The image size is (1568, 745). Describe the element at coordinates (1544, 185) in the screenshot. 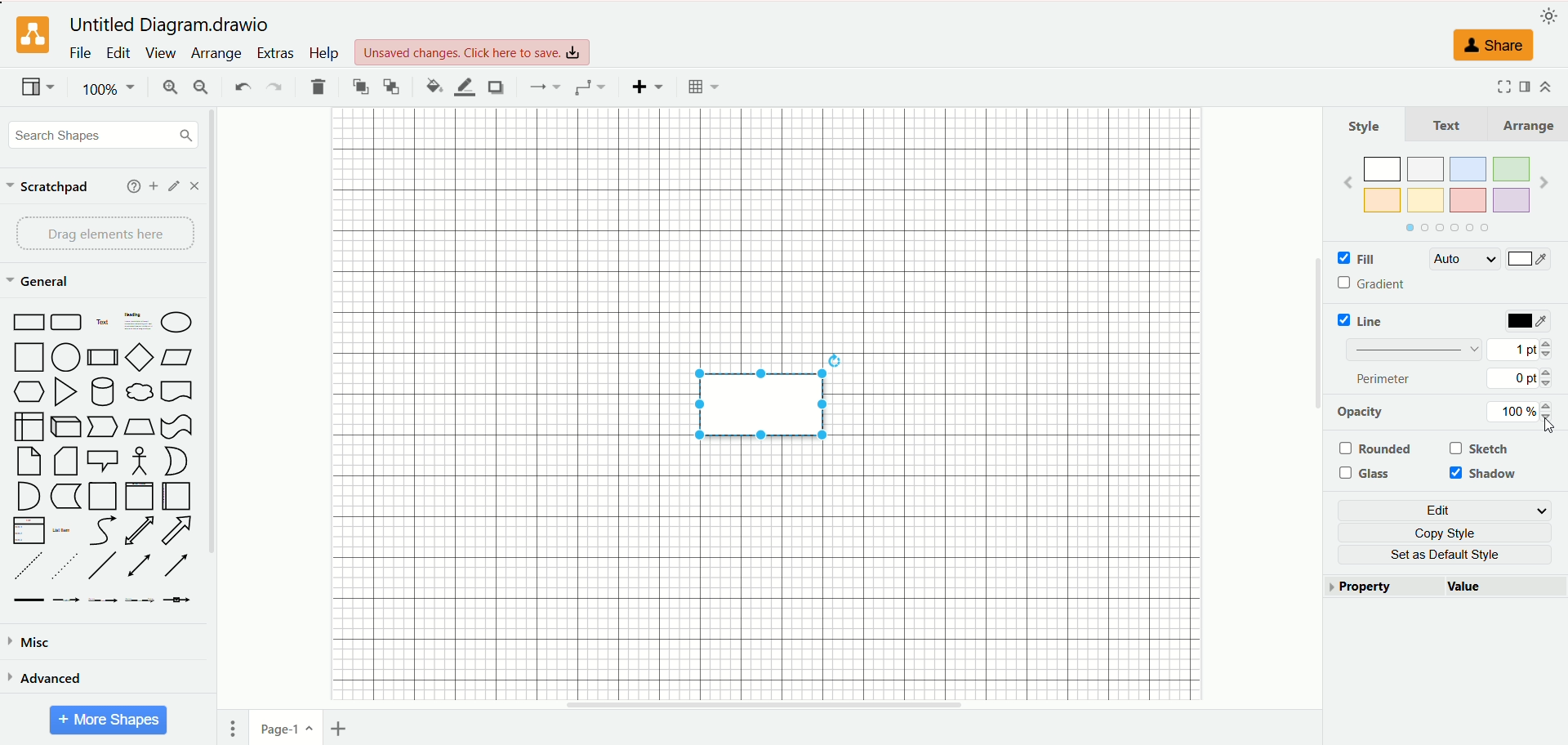

I see `next color options` at that location.